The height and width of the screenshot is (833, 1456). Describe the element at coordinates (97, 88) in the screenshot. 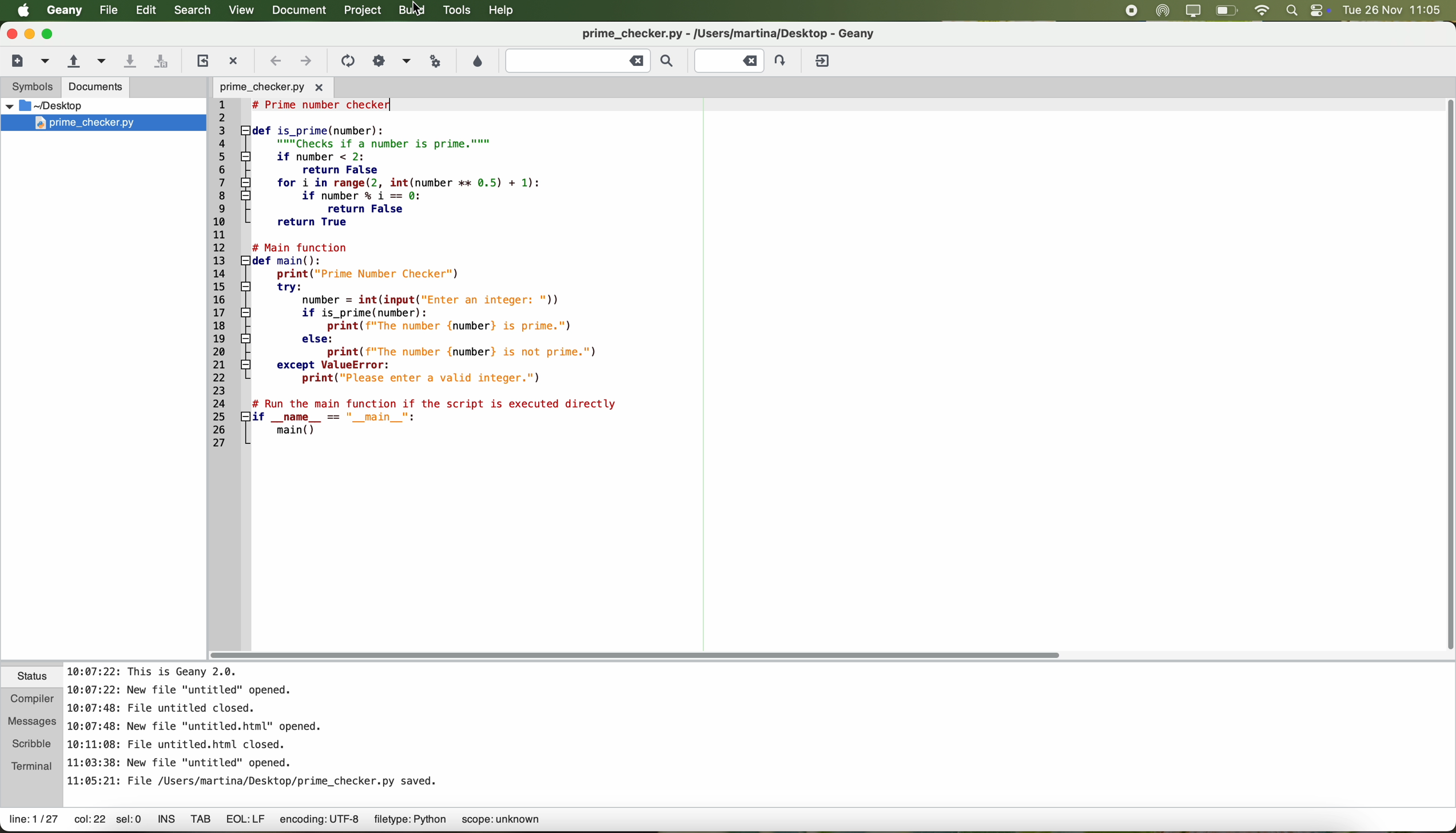

I see `documents` at that location.